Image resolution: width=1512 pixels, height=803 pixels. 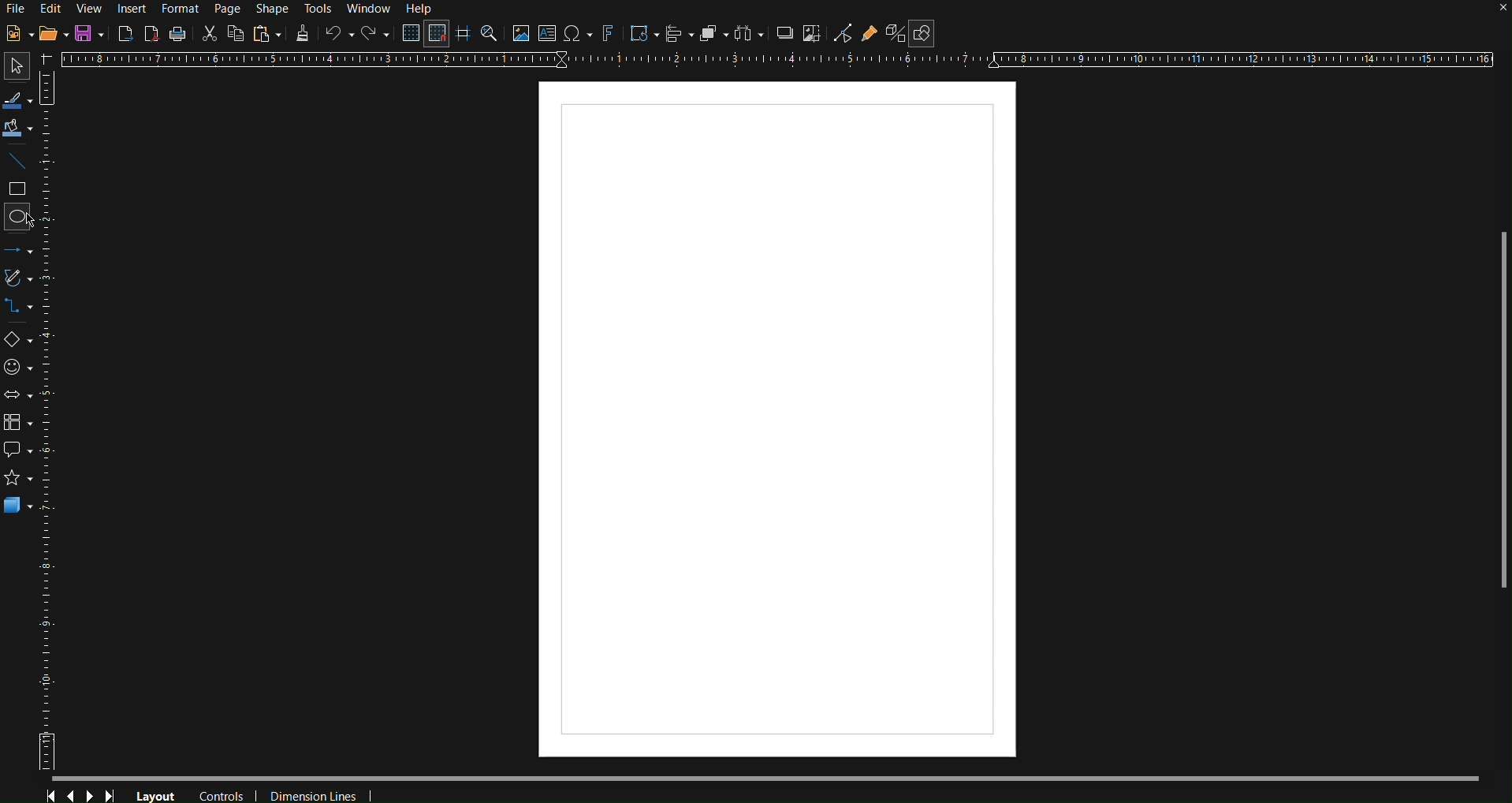 I want to click on Vertical Ruler, so click(x=55, y=424).